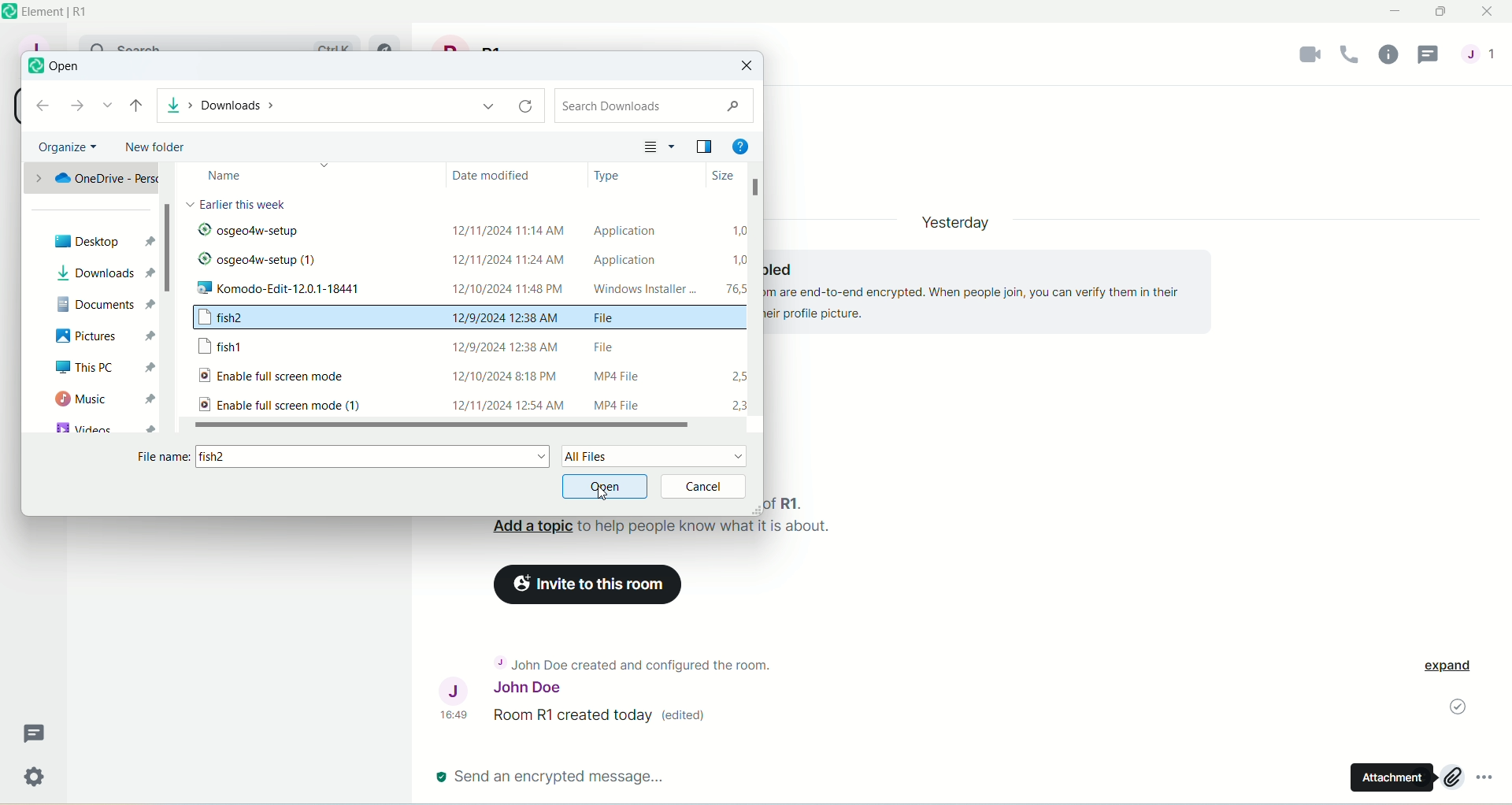 The image size is (1512, 805). Describe the element at coordinates (1454, 668) in the screenshot. I see `expand` at that location.